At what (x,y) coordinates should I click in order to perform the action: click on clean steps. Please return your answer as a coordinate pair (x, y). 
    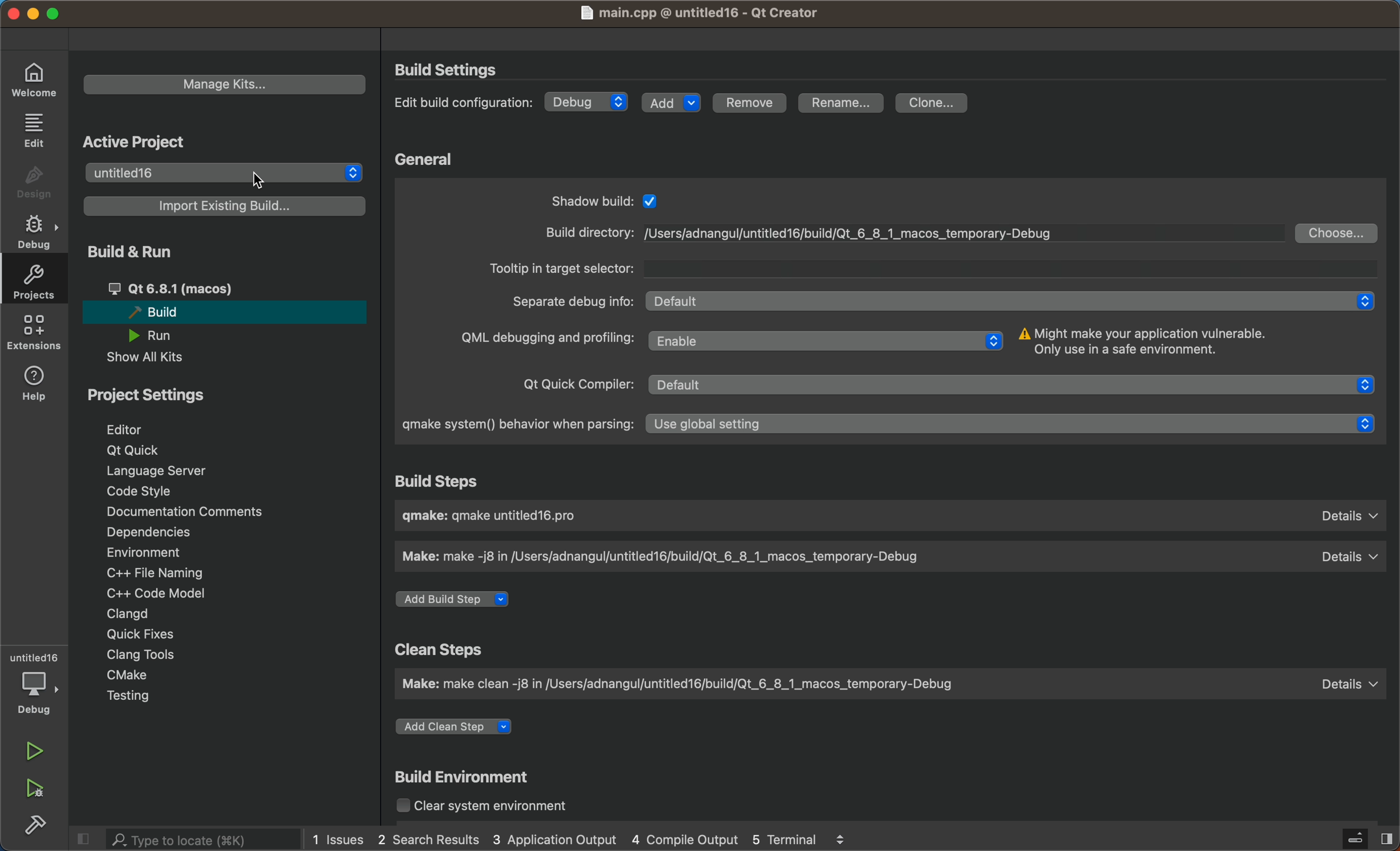
    Looking at the image, I should click on (451, 648).